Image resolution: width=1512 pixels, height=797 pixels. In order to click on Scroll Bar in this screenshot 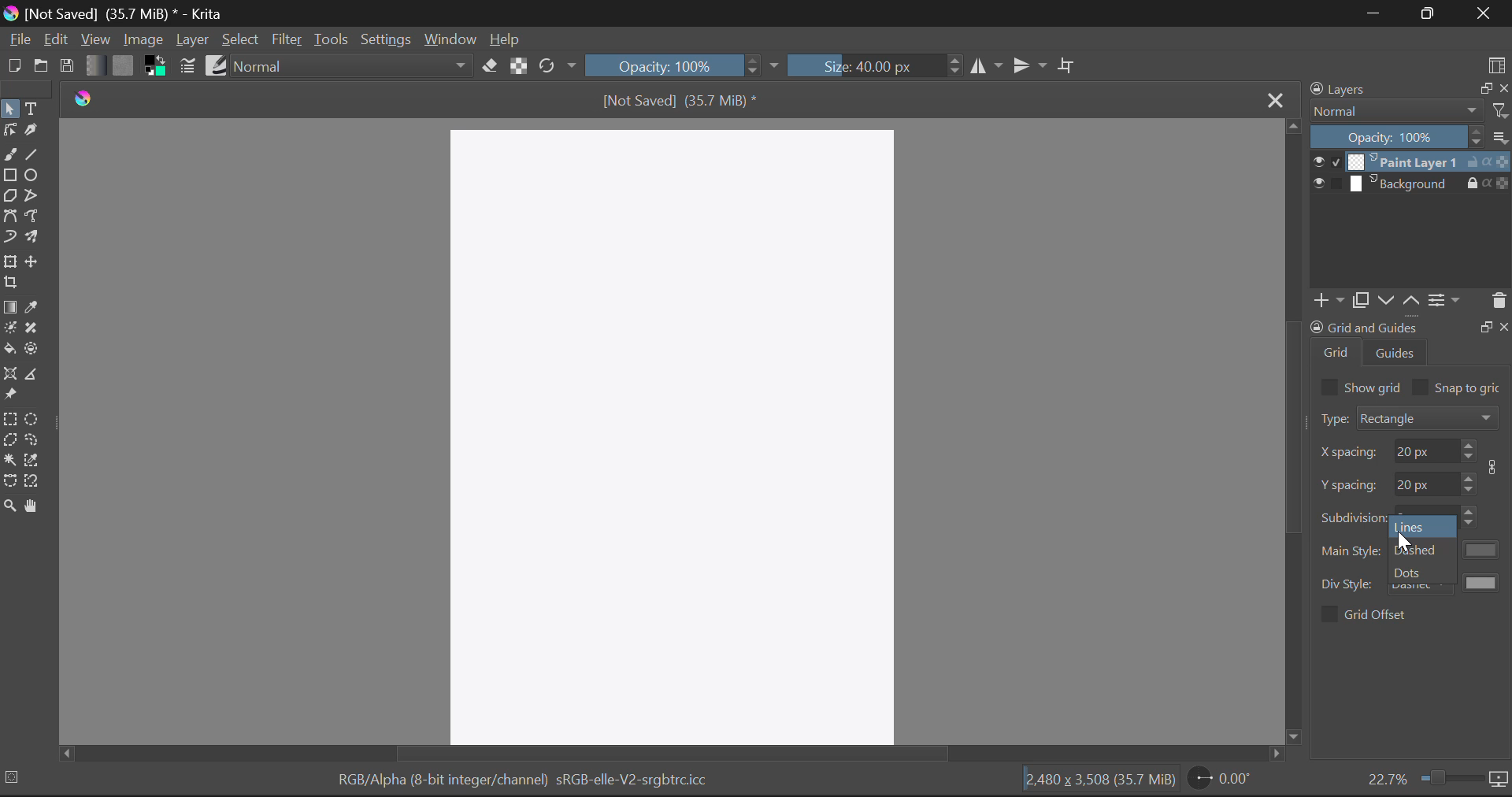, I will do `click(676, 755)`.